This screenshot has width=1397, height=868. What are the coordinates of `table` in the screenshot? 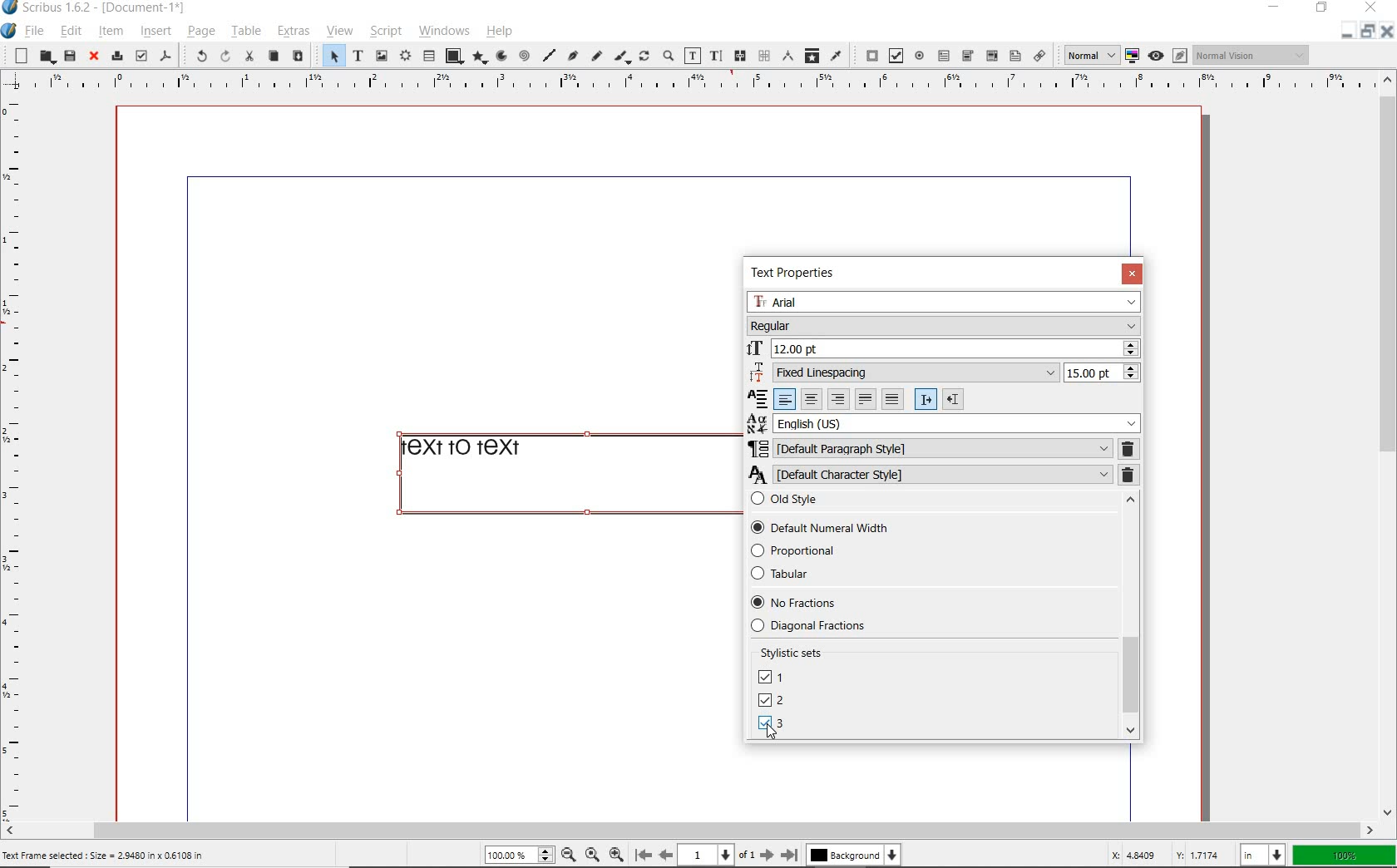 It's located at (245, 32).